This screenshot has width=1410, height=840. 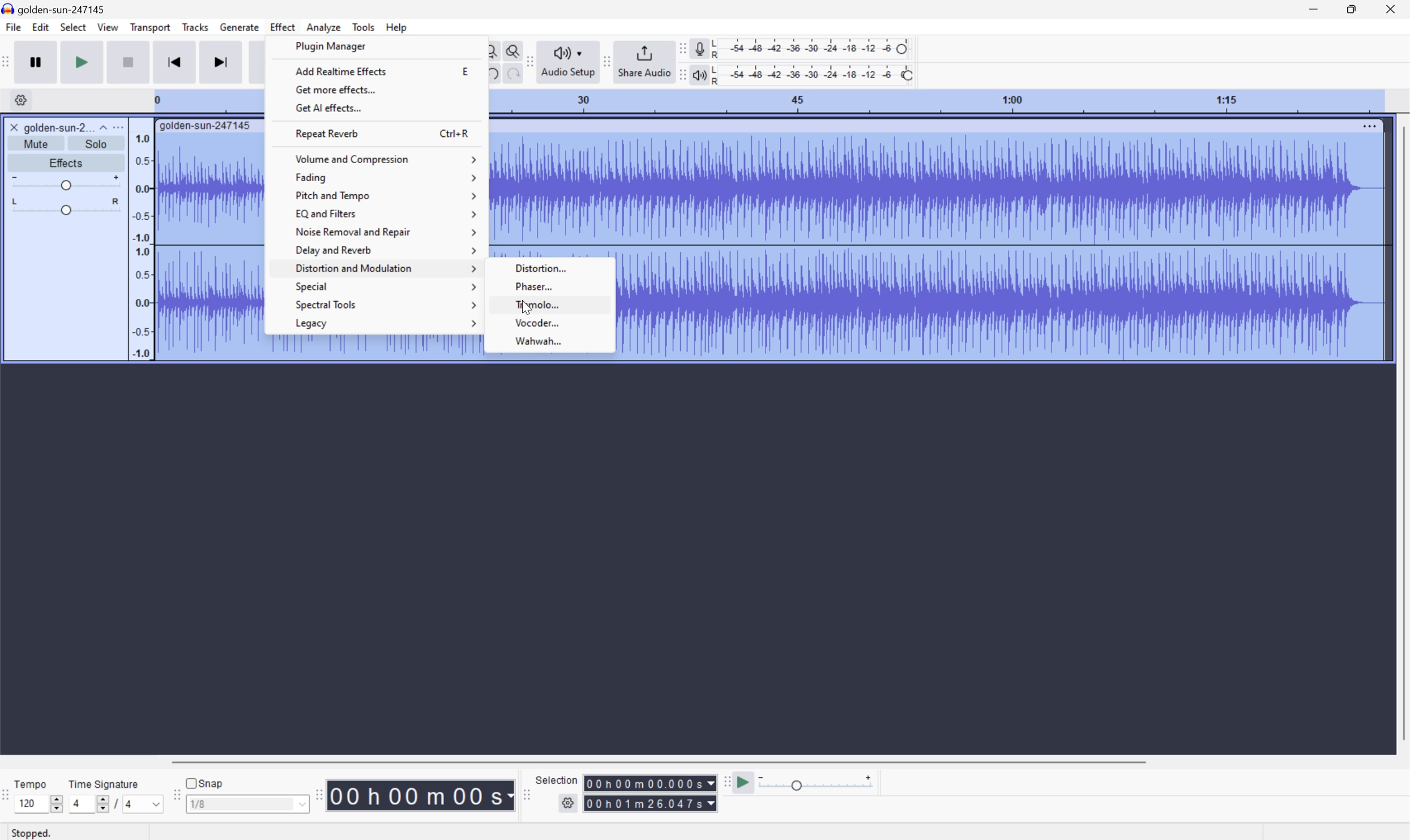 I want to click on Share audio, so click(x=644, y=62).